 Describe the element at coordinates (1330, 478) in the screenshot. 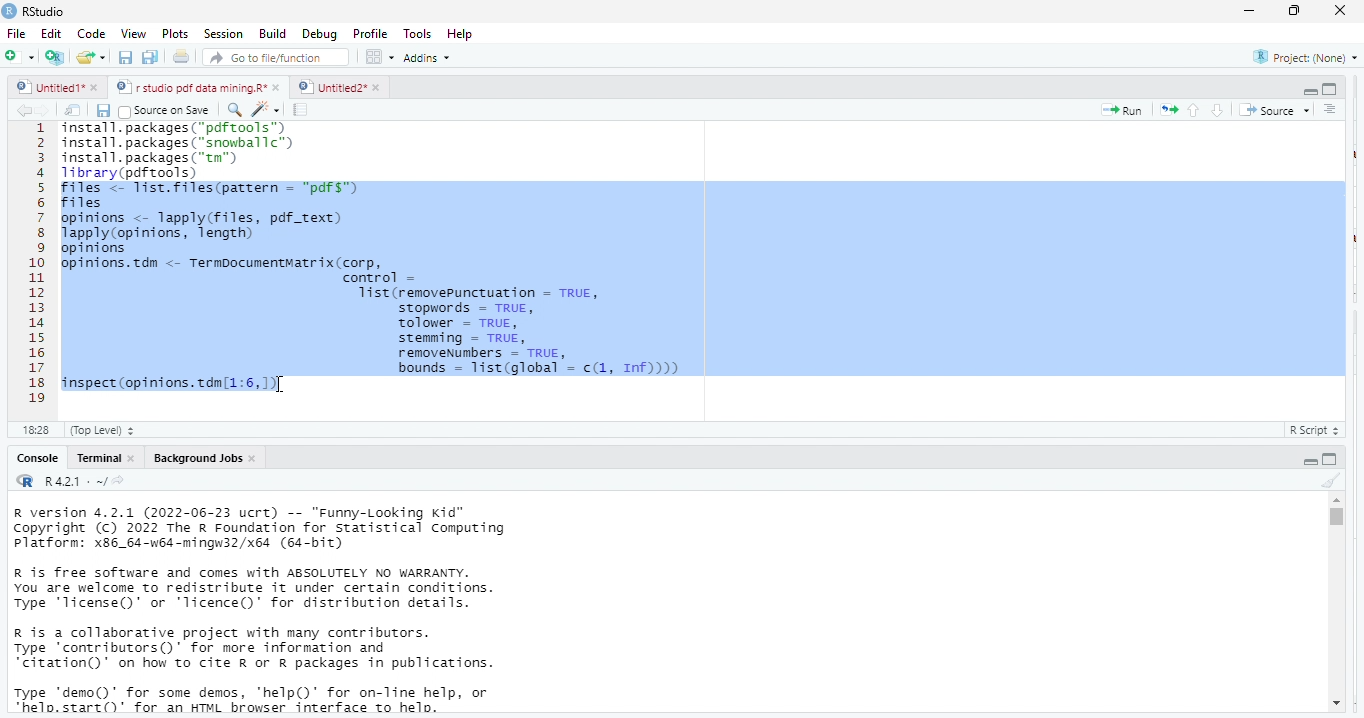

I see `clear console` at that location.